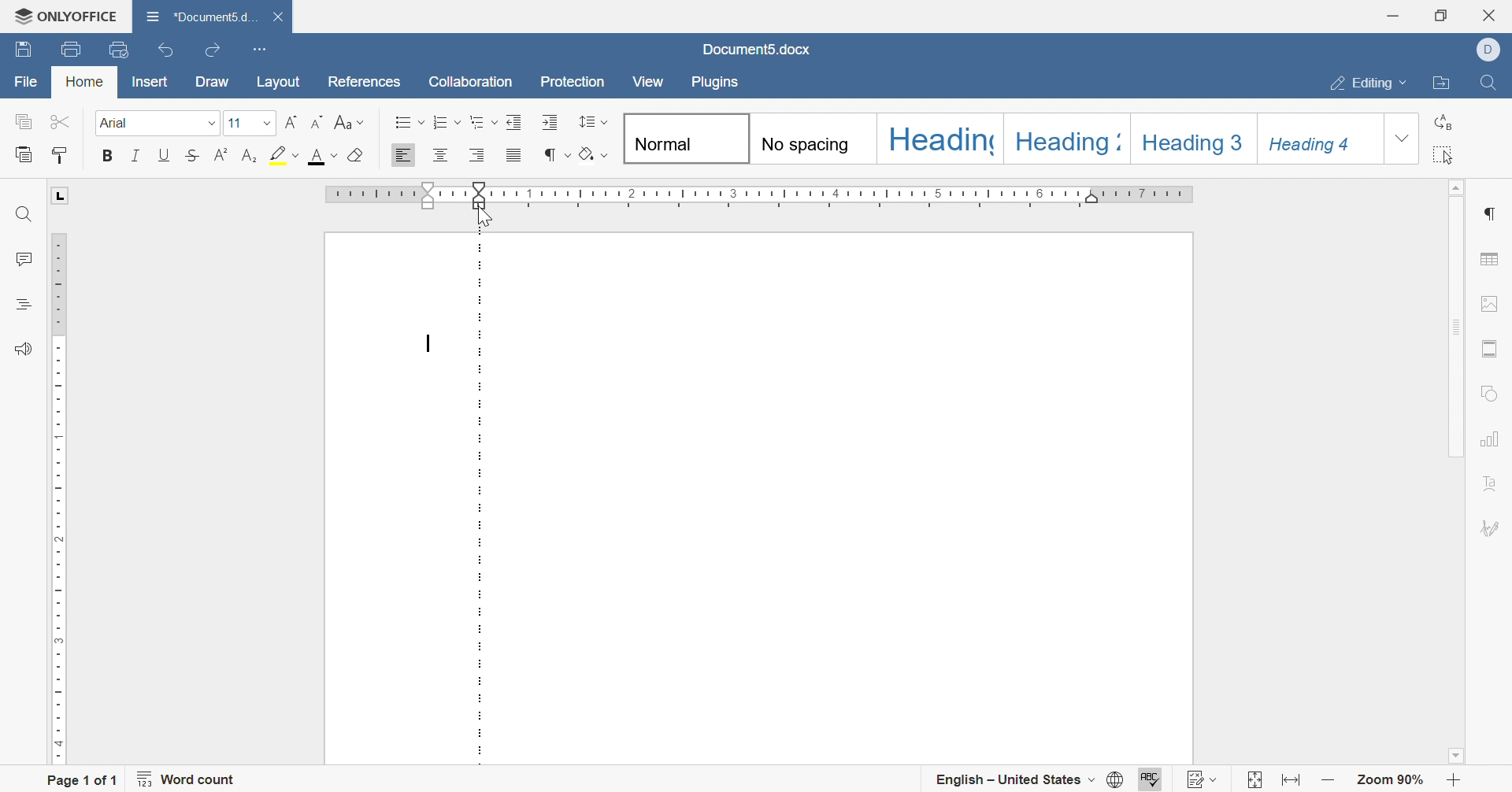 This screenshot has height=792, width=1512. What do you see at coordinates (61, 196) in the screenshot?
I see `L` at bounding box center [61, 196].